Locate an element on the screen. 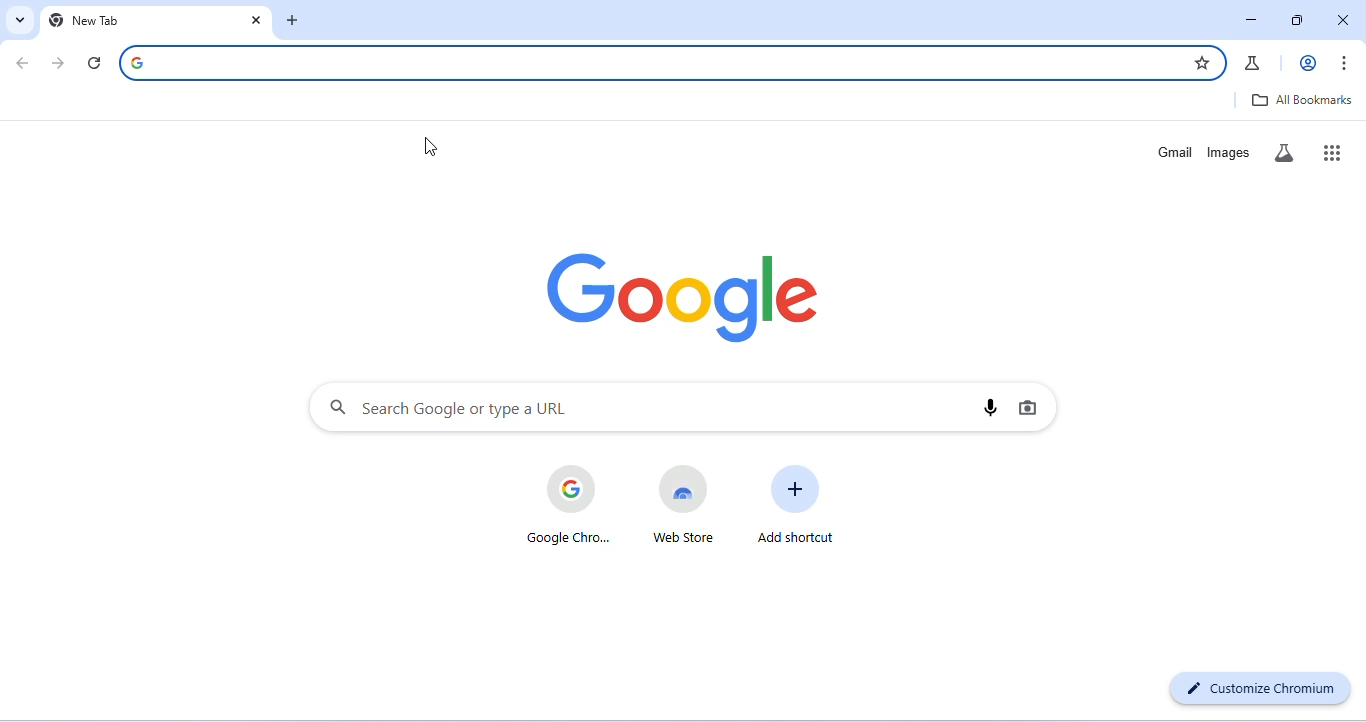  refresh is located at coordinates (94, 64).